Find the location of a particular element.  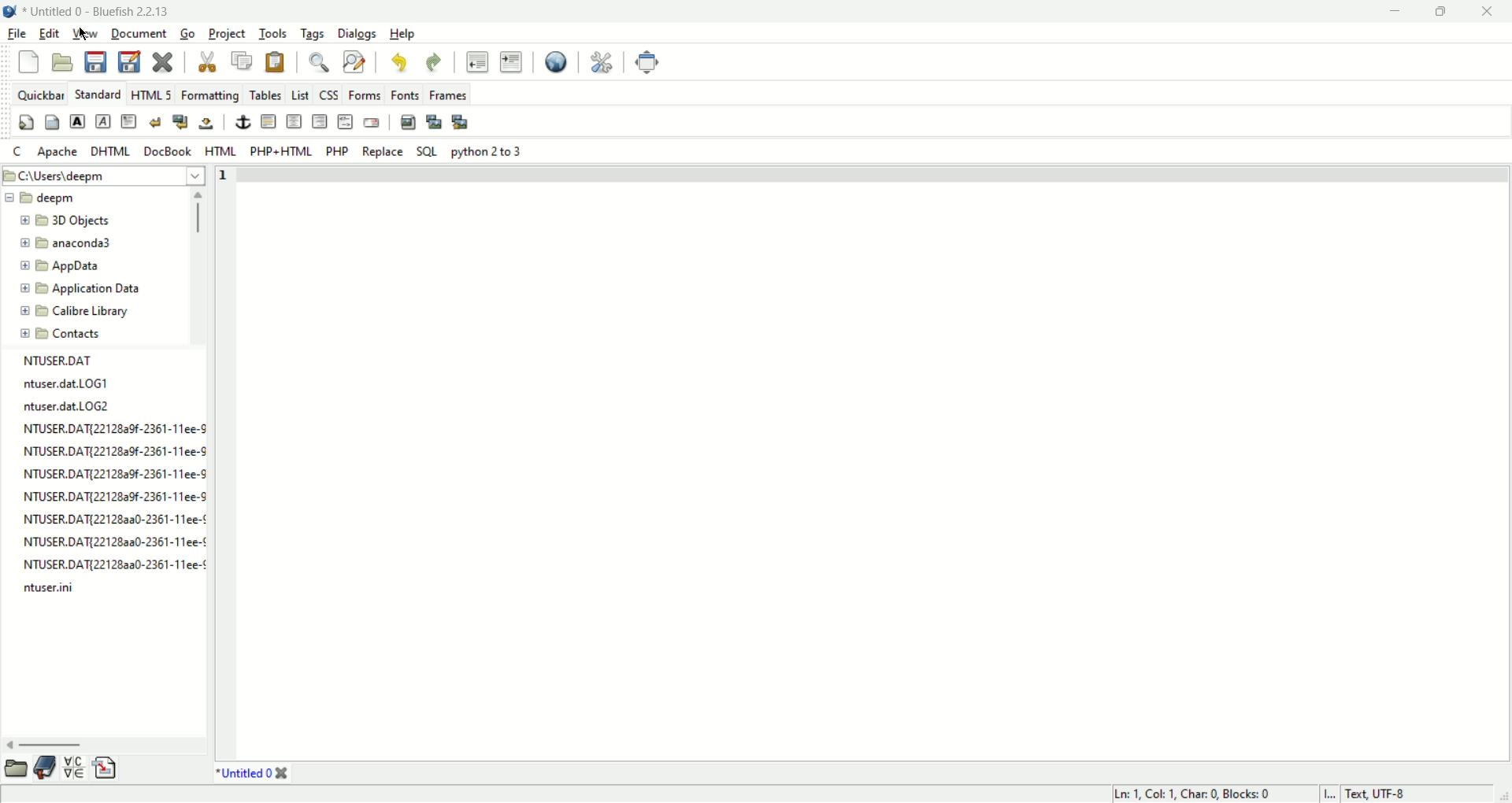

scroll bar is located at coordinates (201, 268).